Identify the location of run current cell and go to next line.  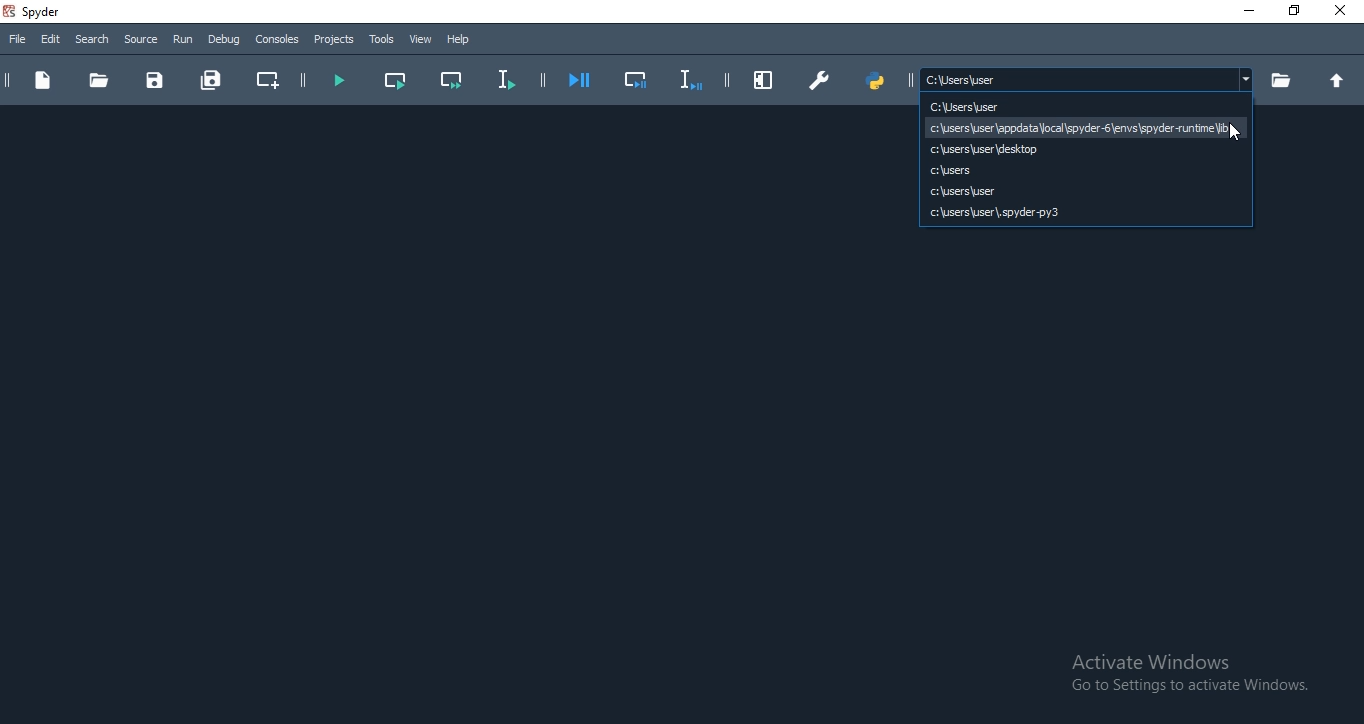
(454, 81).